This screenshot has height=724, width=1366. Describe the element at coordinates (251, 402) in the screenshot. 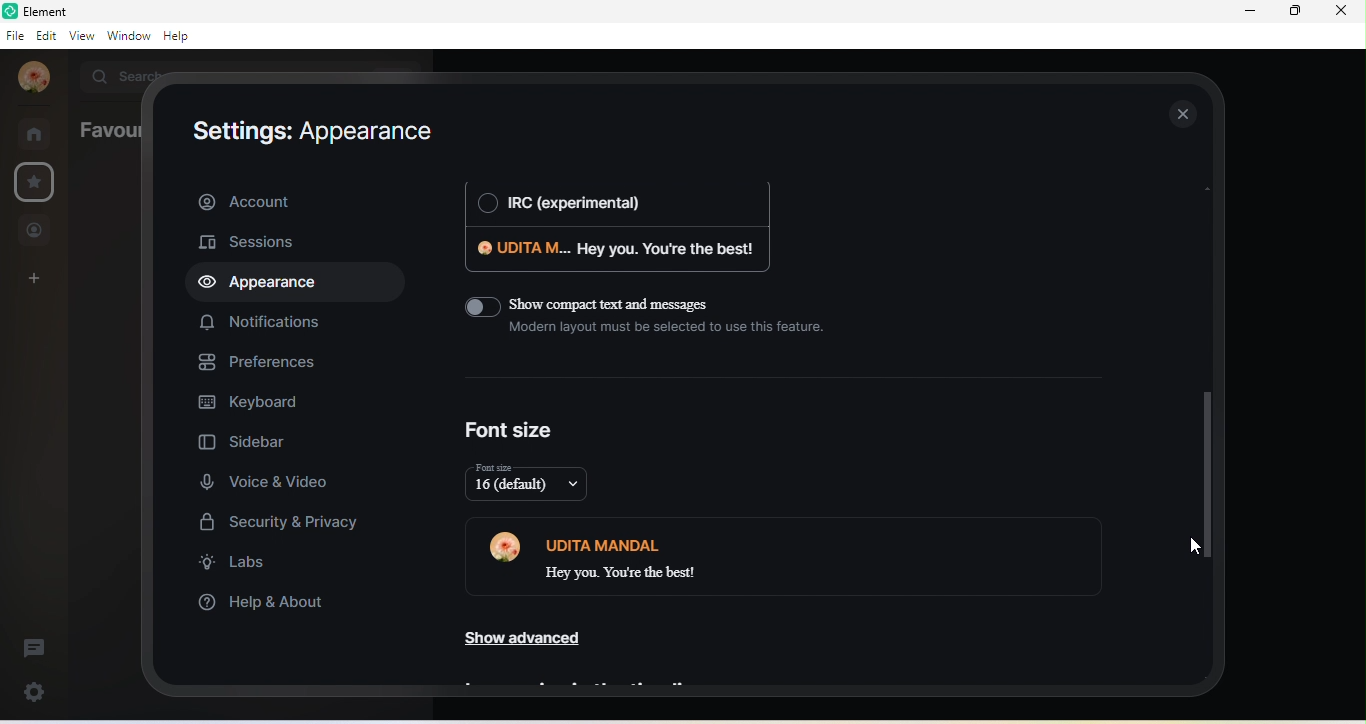

I see `keyboard` at that location.